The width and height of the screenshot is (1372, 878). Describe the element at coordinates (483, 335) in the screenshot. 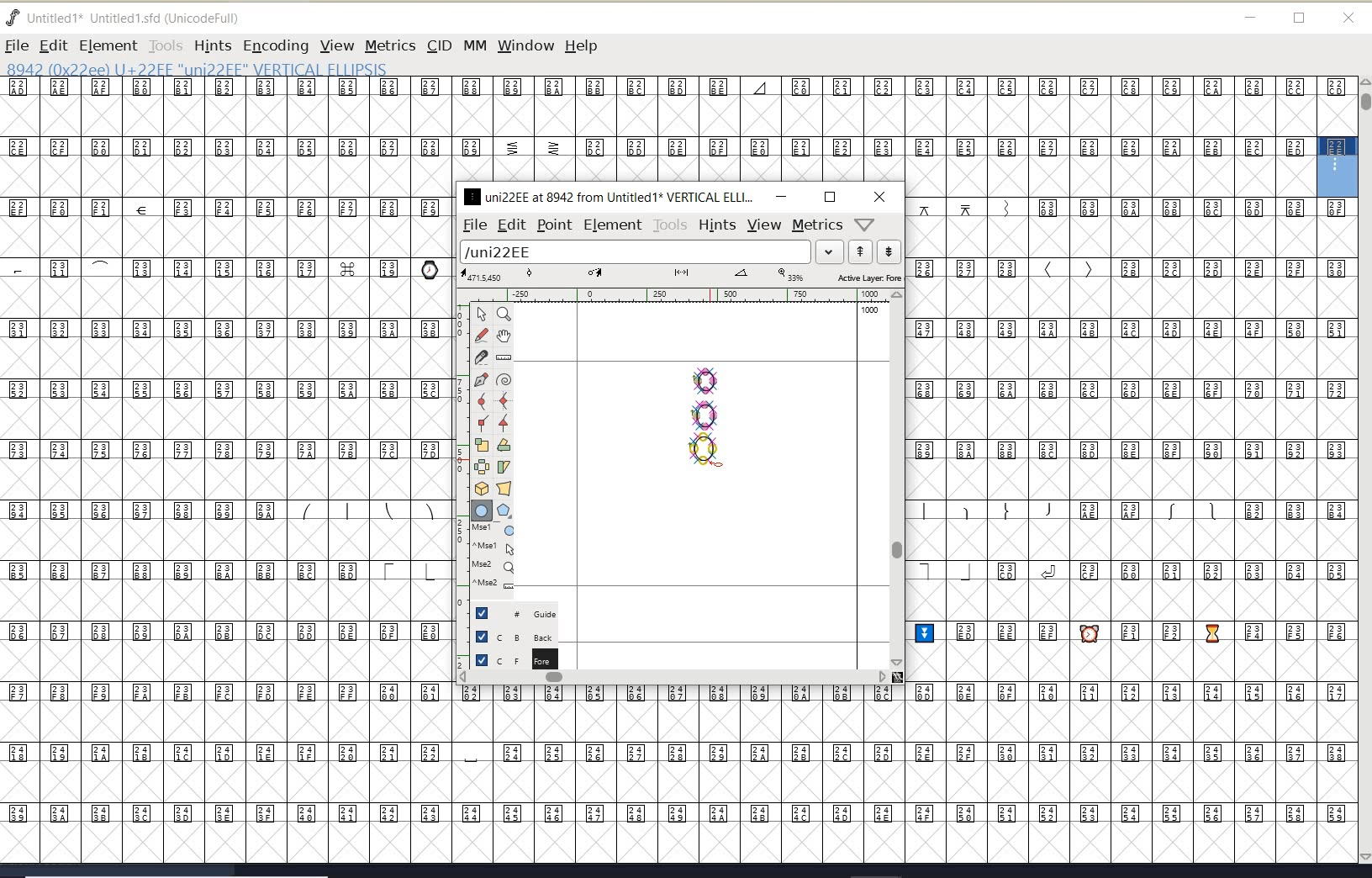

I see `draw a freehand curve` at that location.